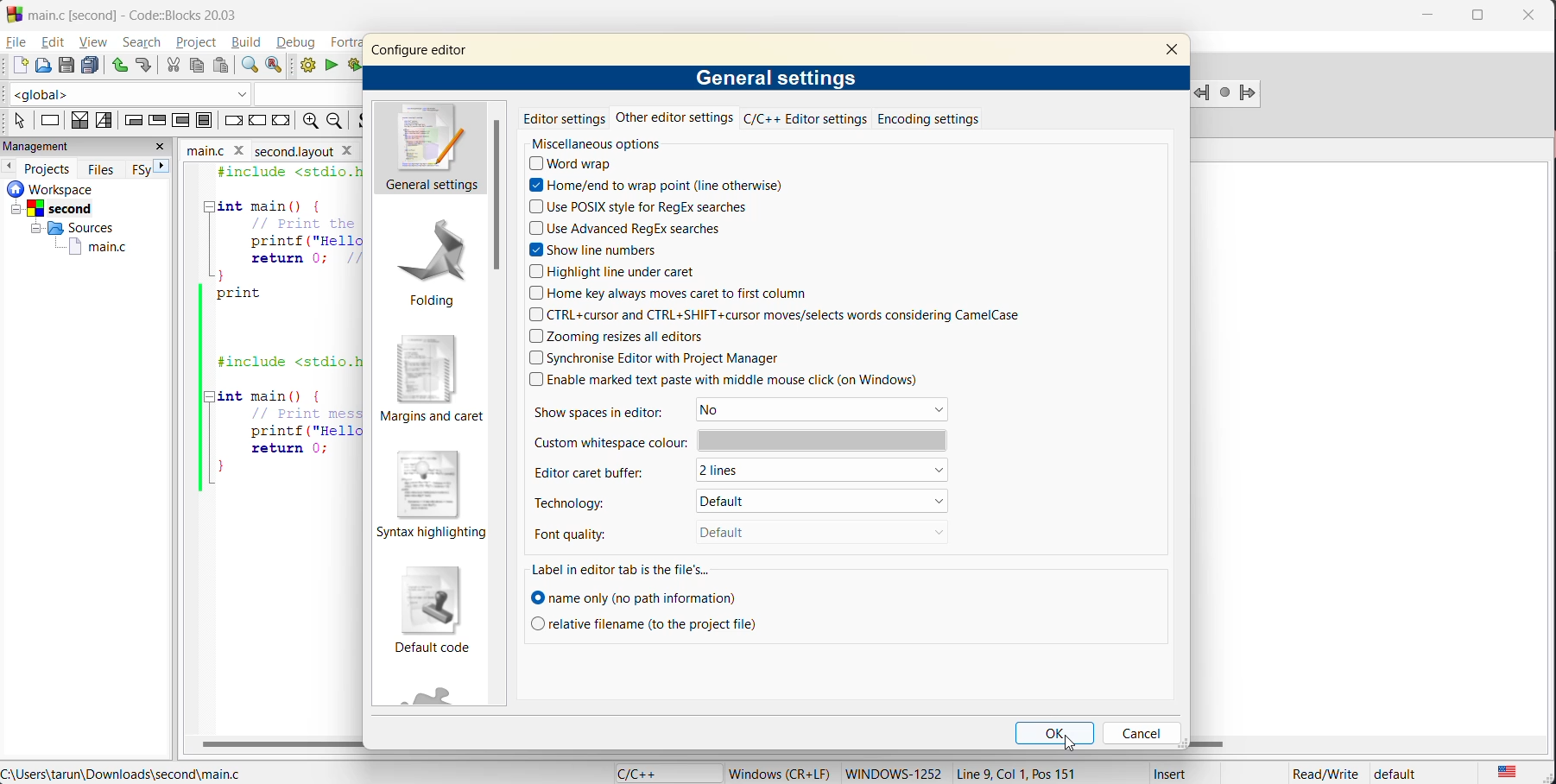 The image size is (1556, 784). I want to click on entry condition loop, so click(132, 121).